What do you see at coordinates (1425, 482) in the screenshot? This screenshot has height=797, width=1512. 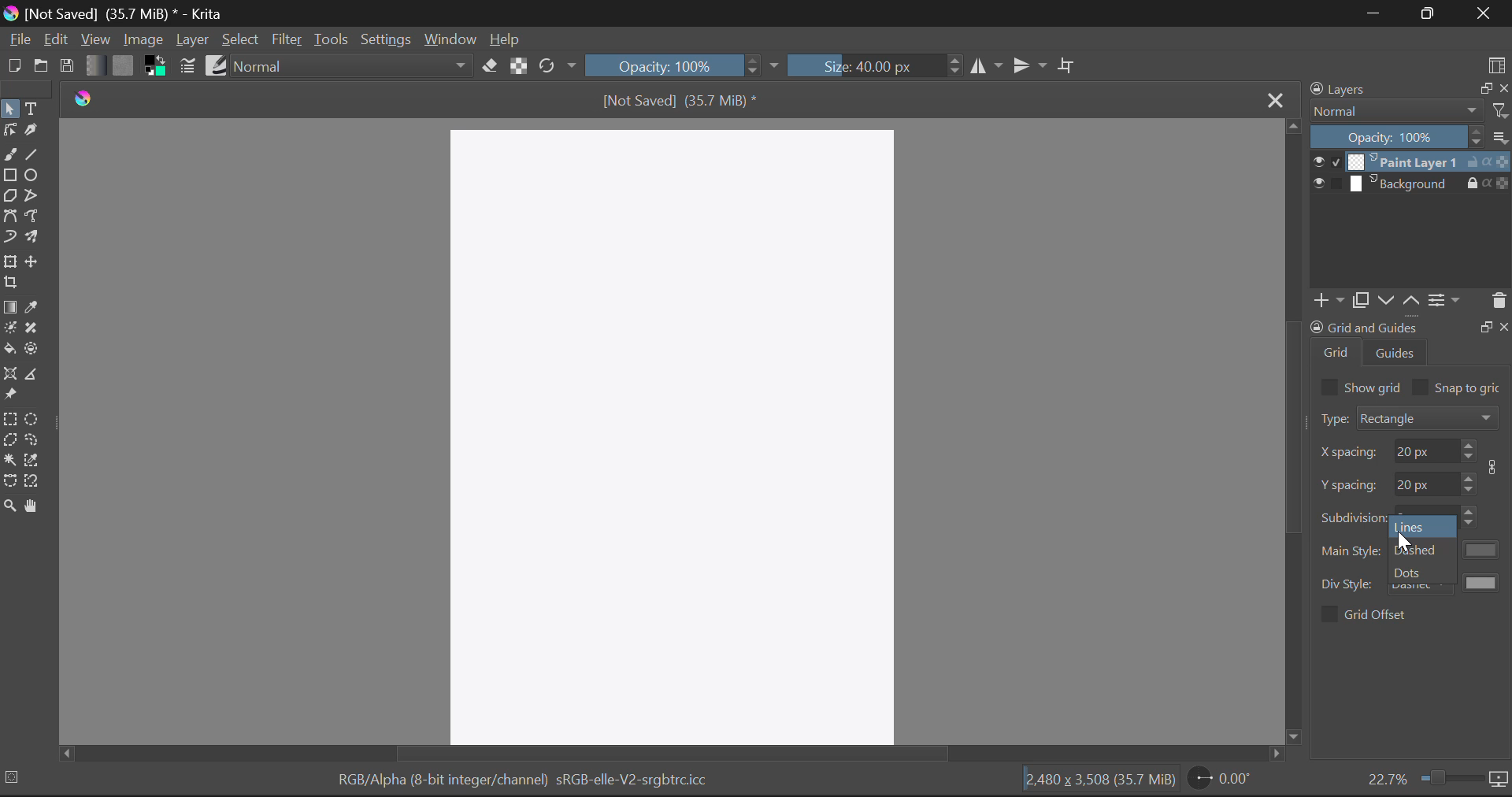 I see `spacing y` at bounding box center [1425, 482].